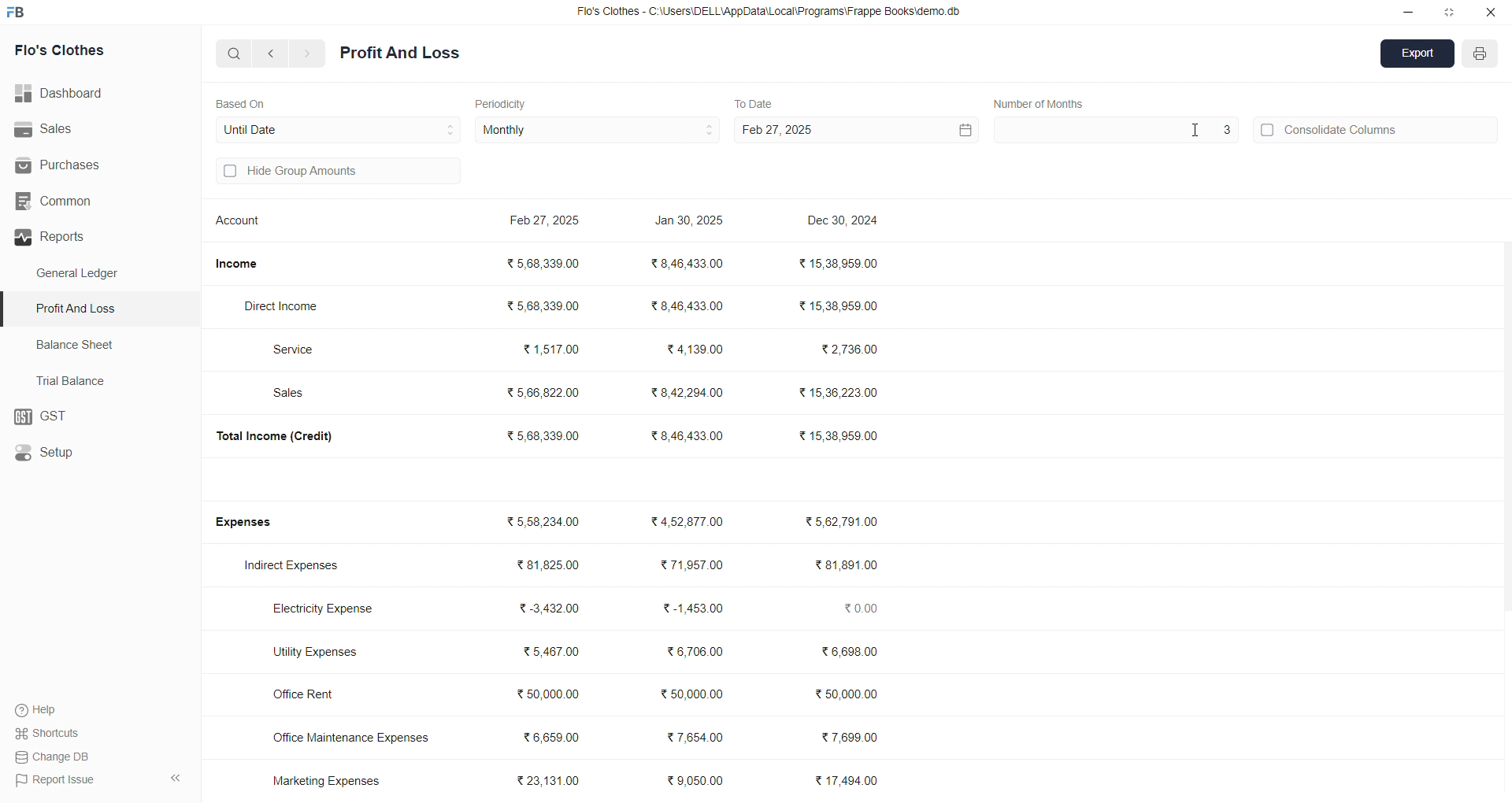  I want to click on Income, so click(243, 264).